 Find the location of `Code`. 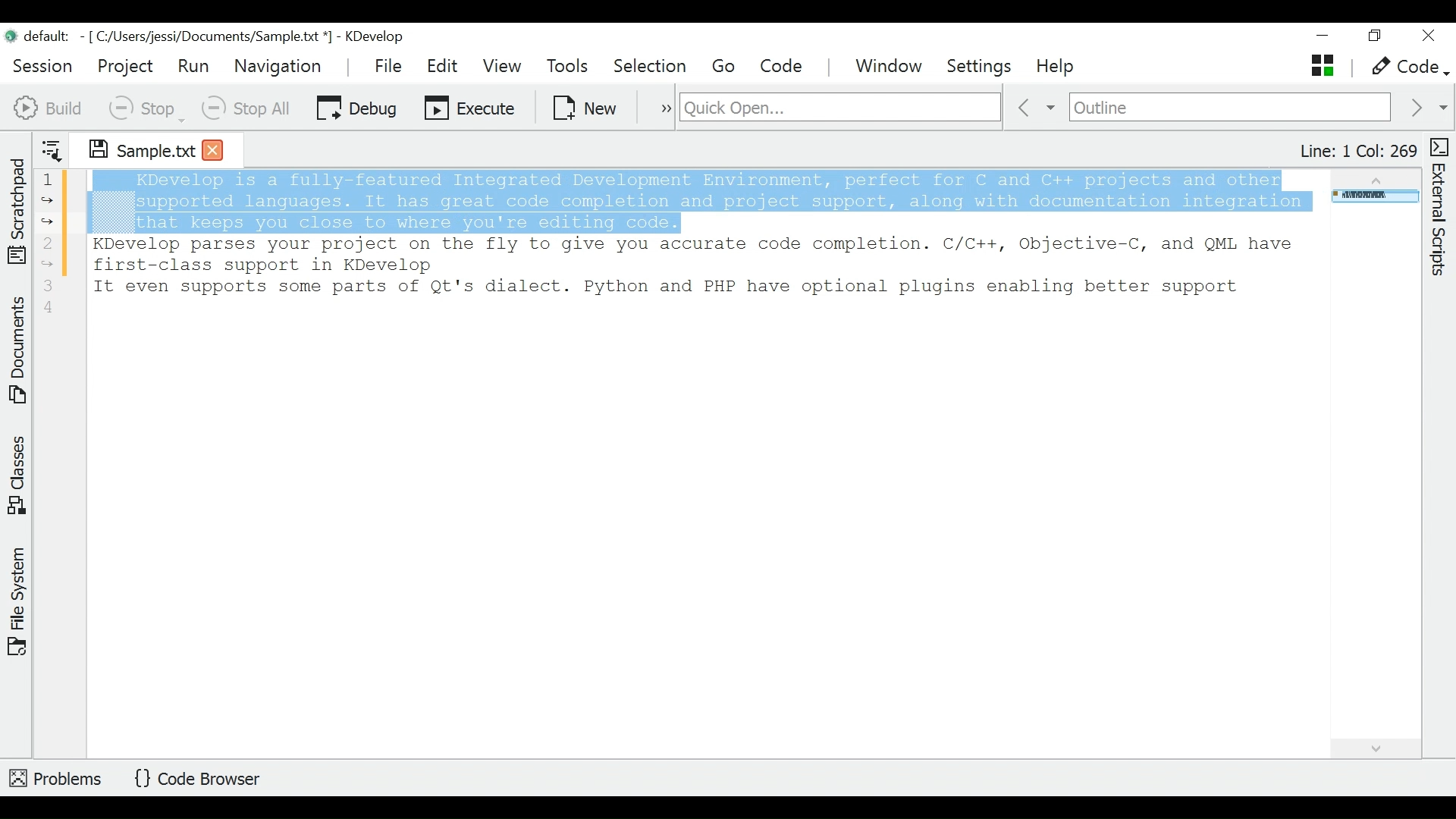

Code is located at coordinates (783, 66).